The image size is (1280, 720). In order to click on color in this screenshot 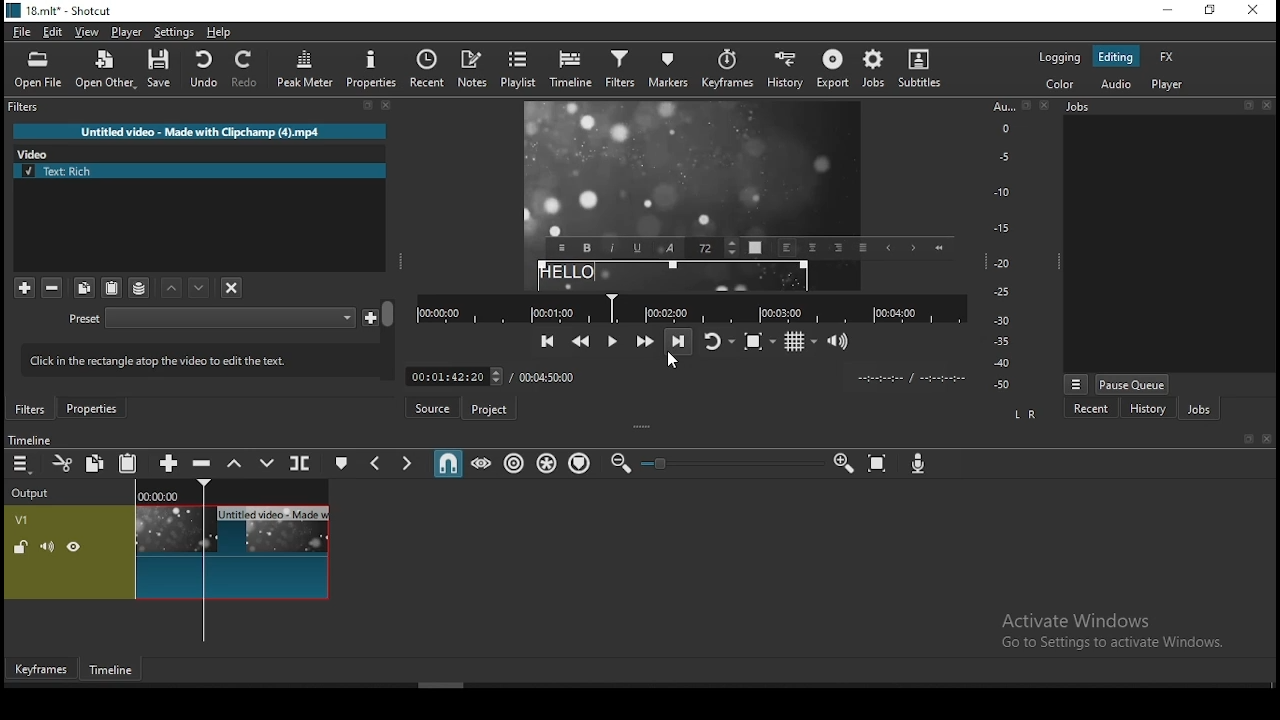, I will do `click(1059, 86)`.